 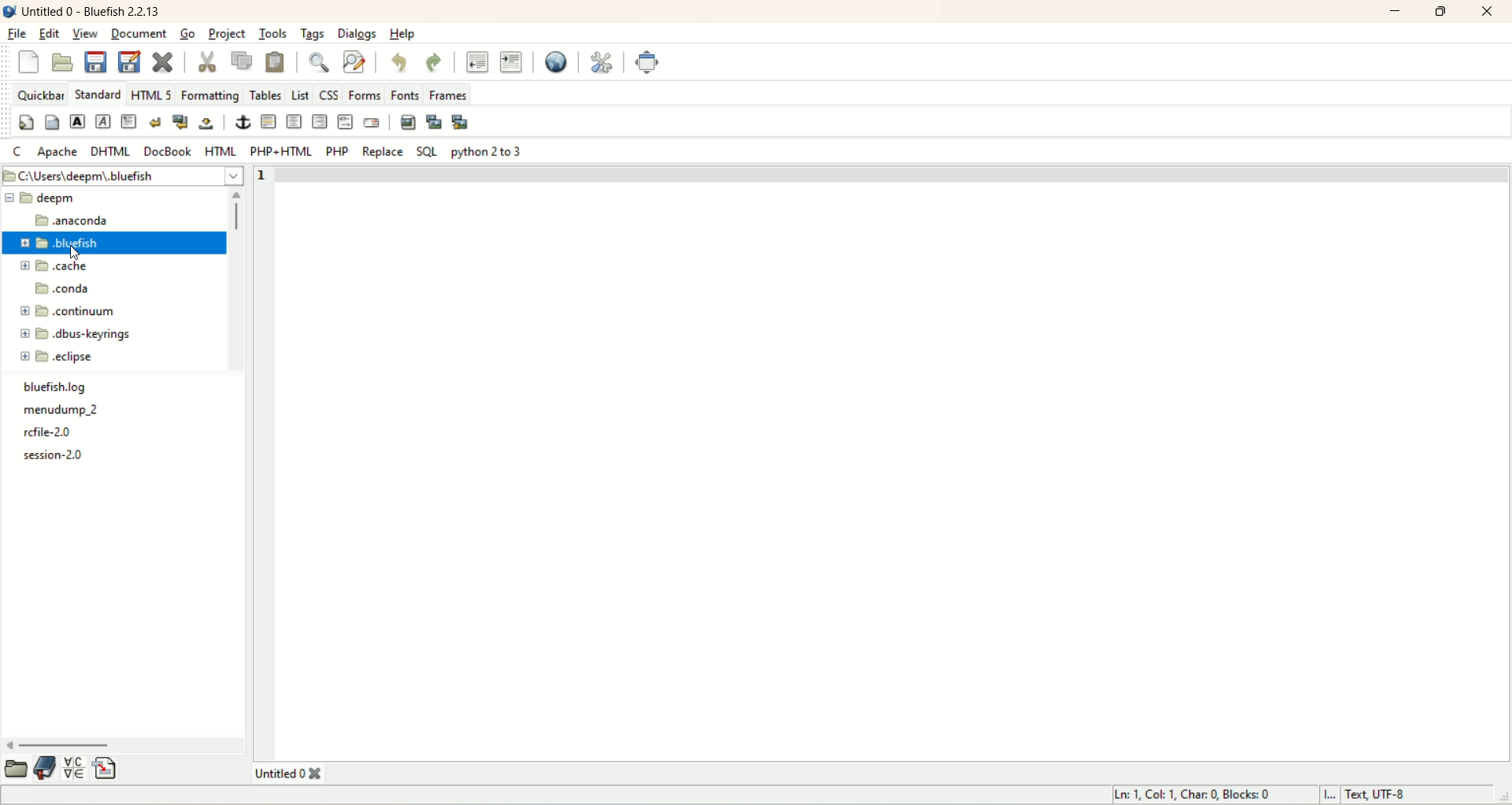 What do you see at coordinates (206, 60) in the screenshot?
I see `cut` at bounding box center [206, 60].